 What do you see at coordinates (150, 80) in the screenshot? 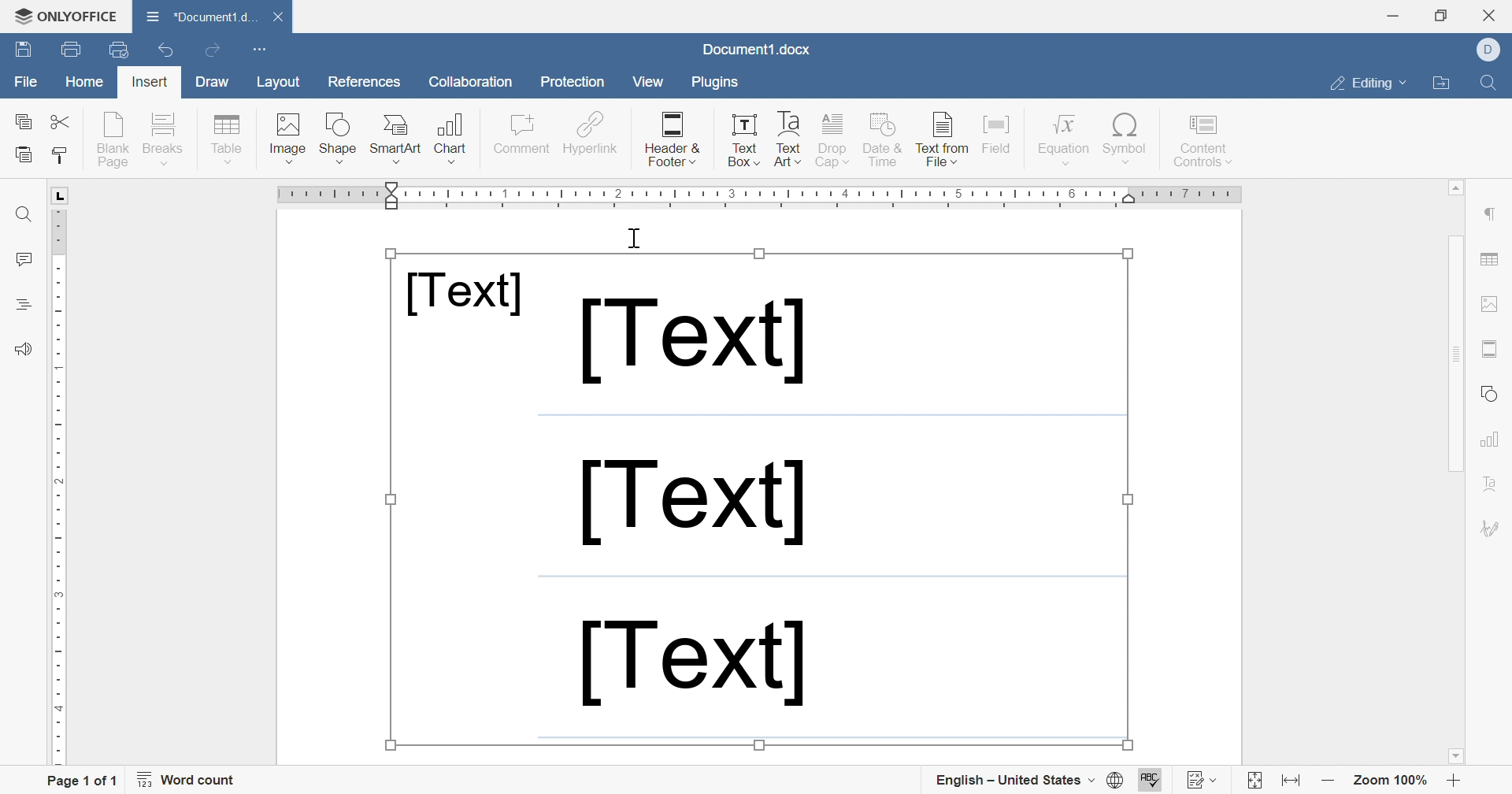
I see `Insert` at bounding box center [150, 80].